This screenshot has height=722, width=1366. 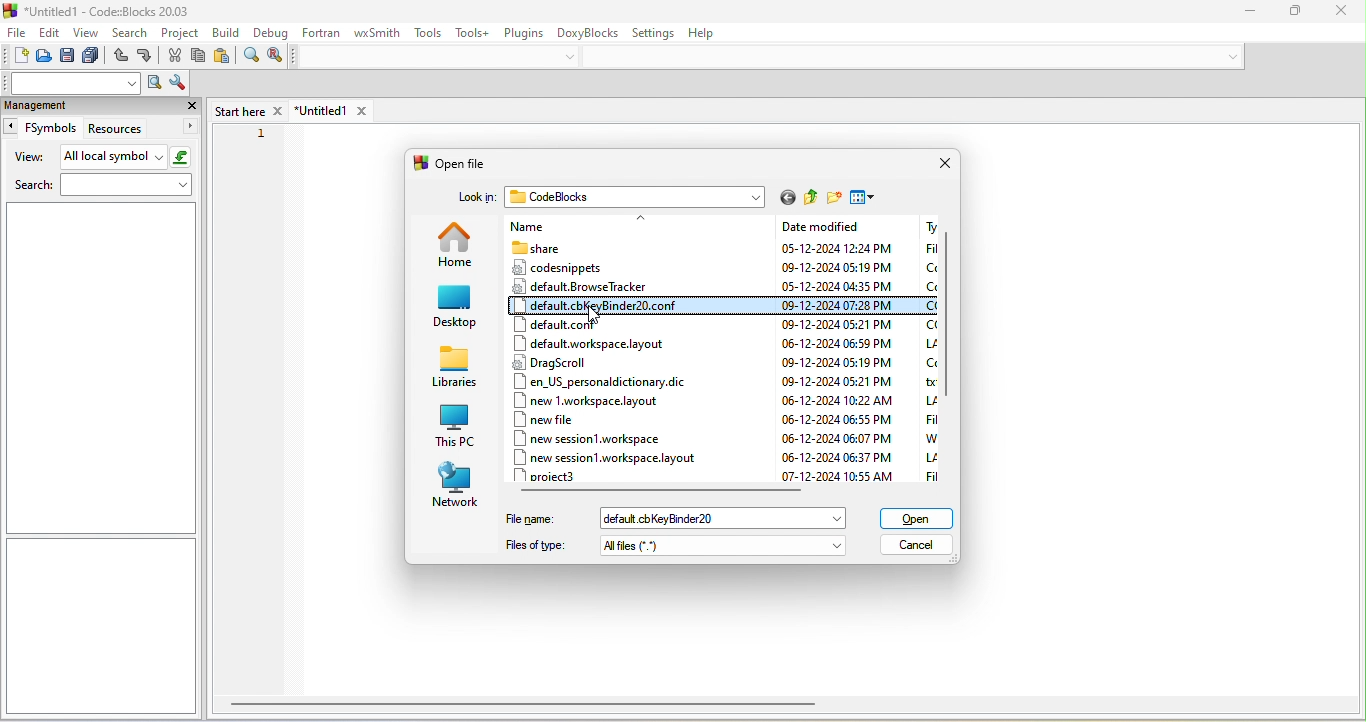 What do you see at coordinates (153, 83) in the screenshot?
I see `run search` at bounding box center [153, 83].